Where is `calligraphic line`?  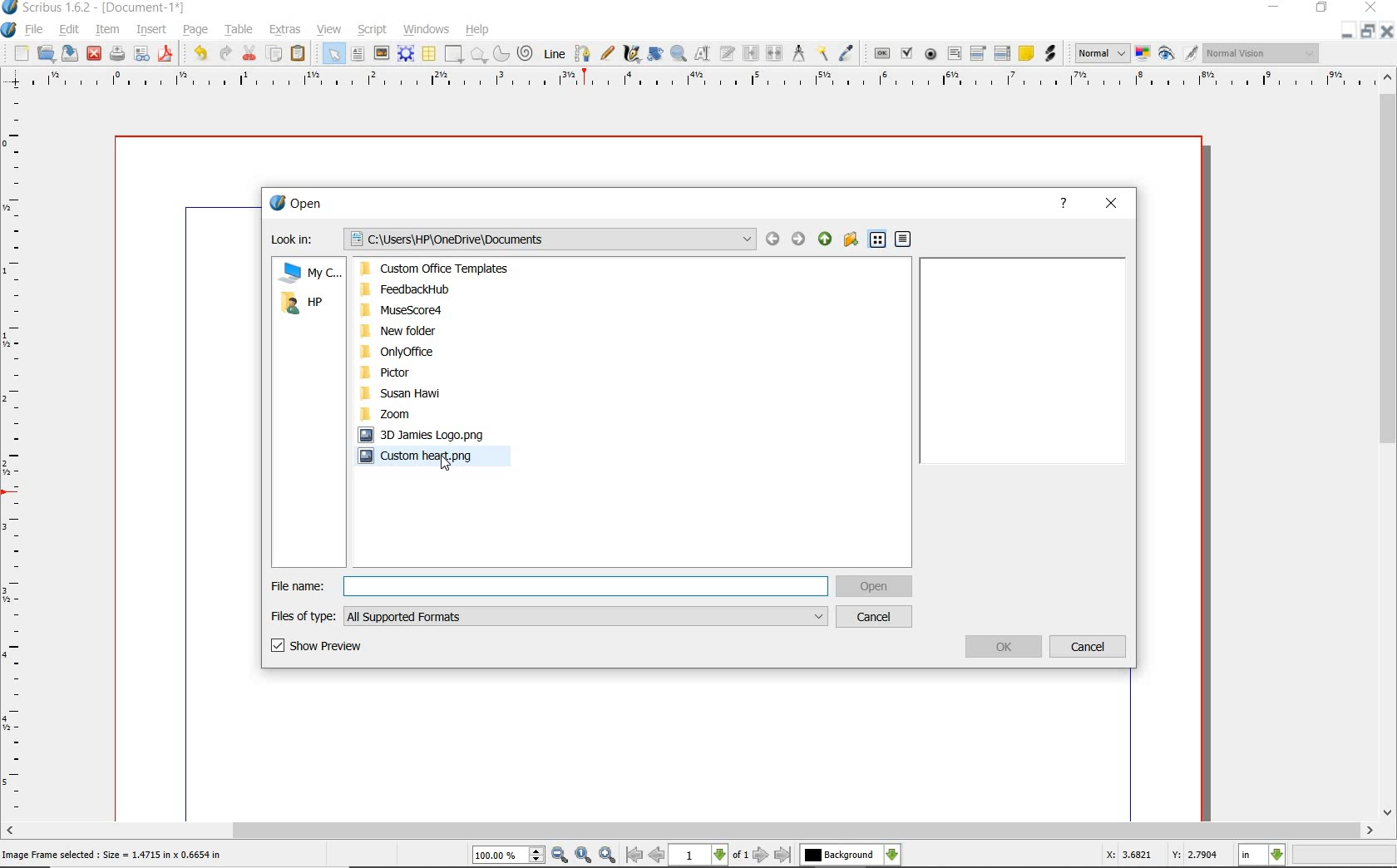 calligraphic line is located at coordinates (632, 54).